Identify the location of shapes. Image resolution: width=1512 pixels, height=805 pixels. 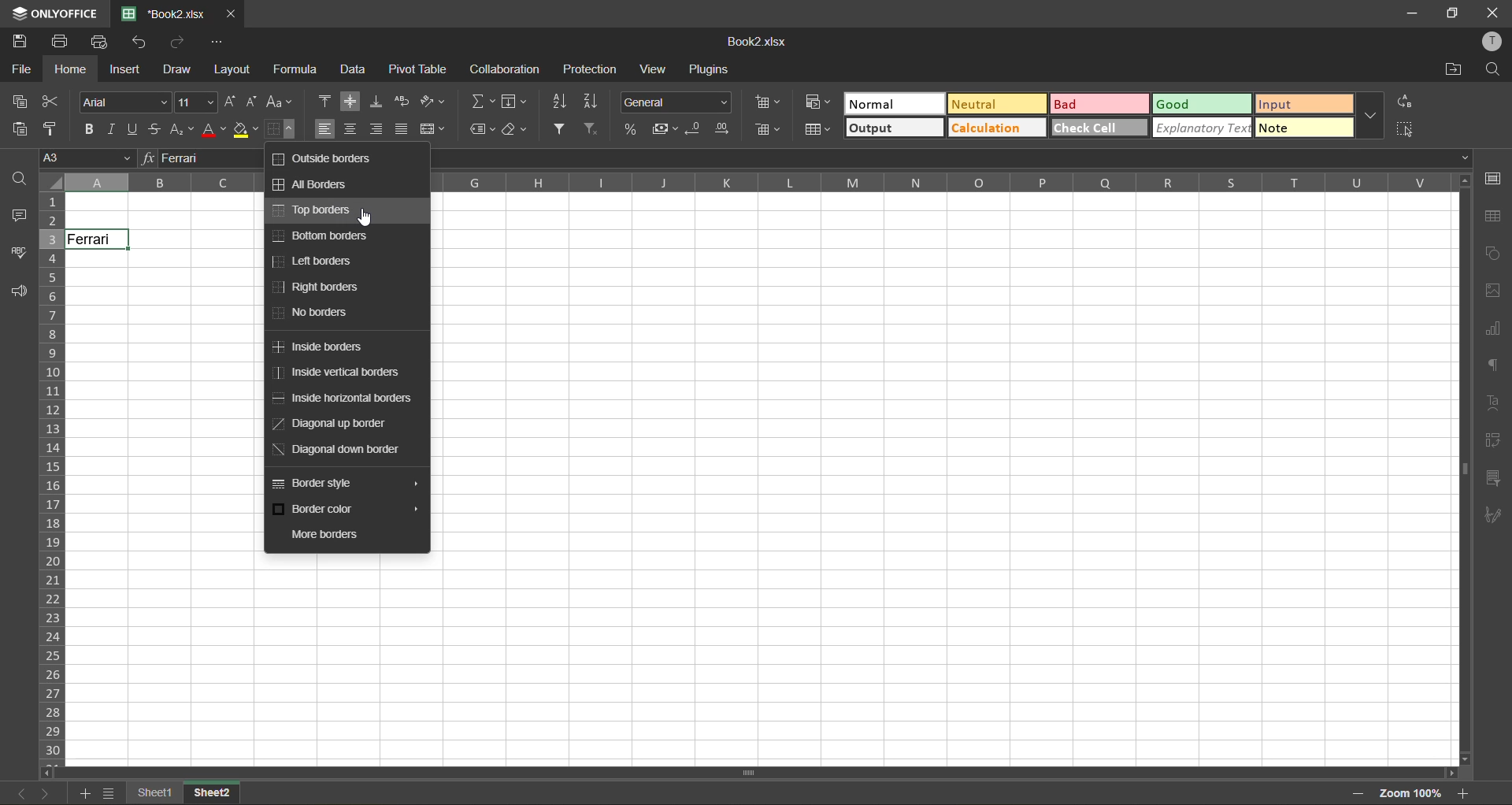
(1495, 252).